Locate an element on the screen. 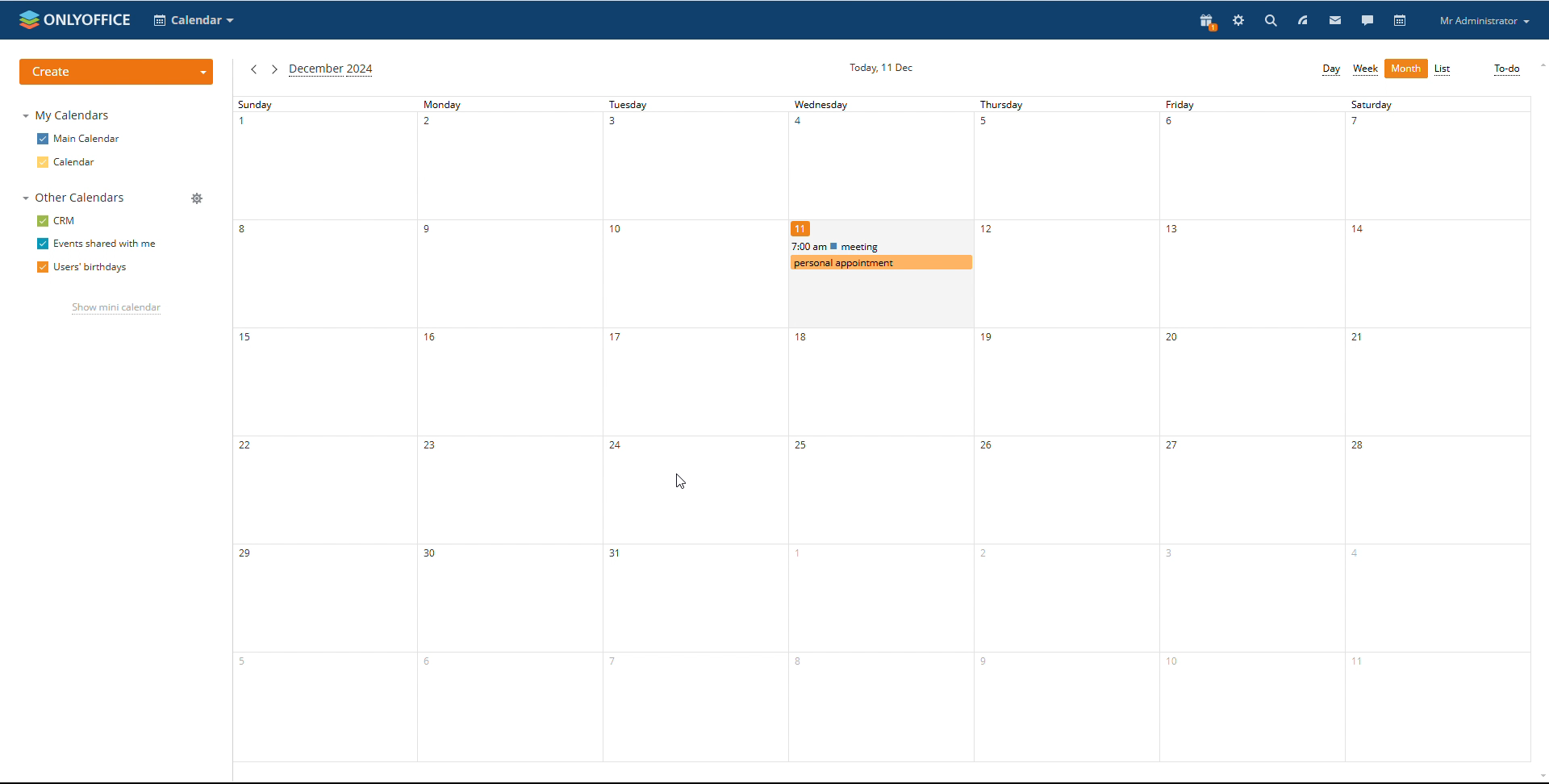 The width and height of the screenshot is (1549, 784). select application is located at coordinates (194, 21).